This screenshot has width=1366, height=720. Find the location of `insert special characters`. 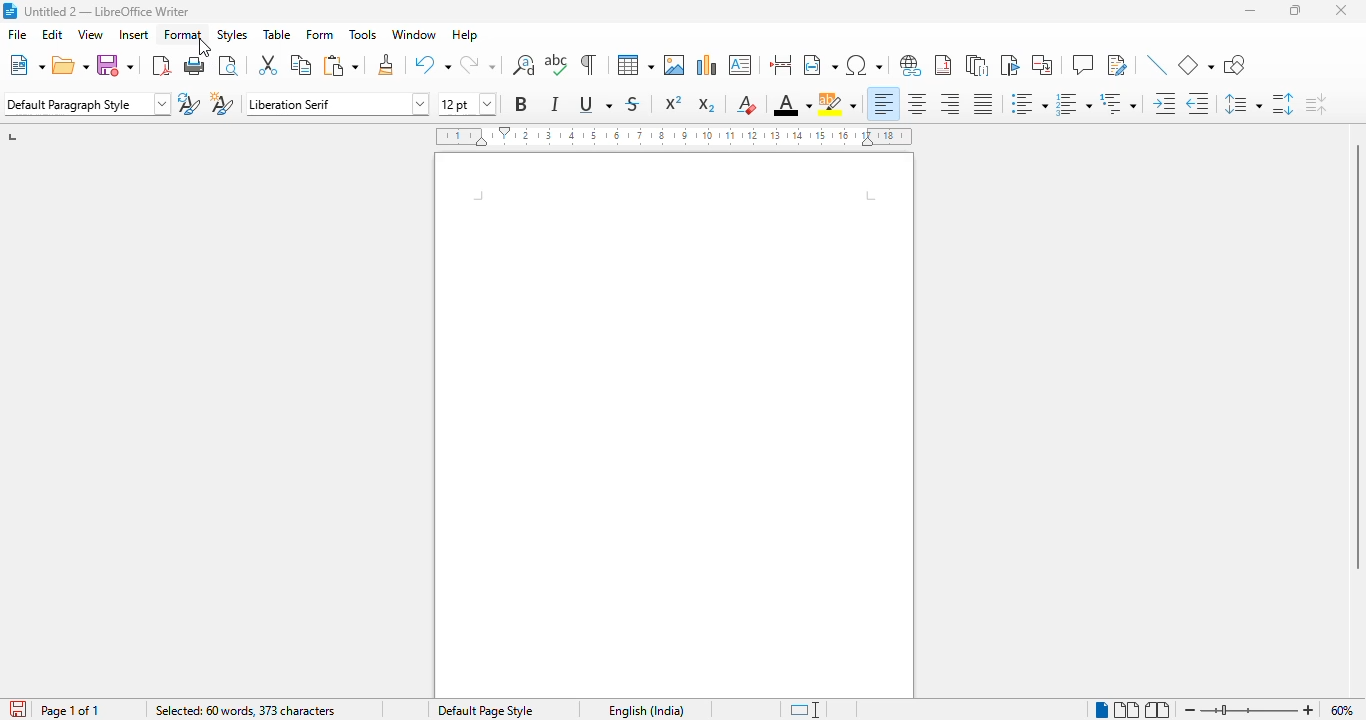

insert special characters is located at coordinates (863, 65).